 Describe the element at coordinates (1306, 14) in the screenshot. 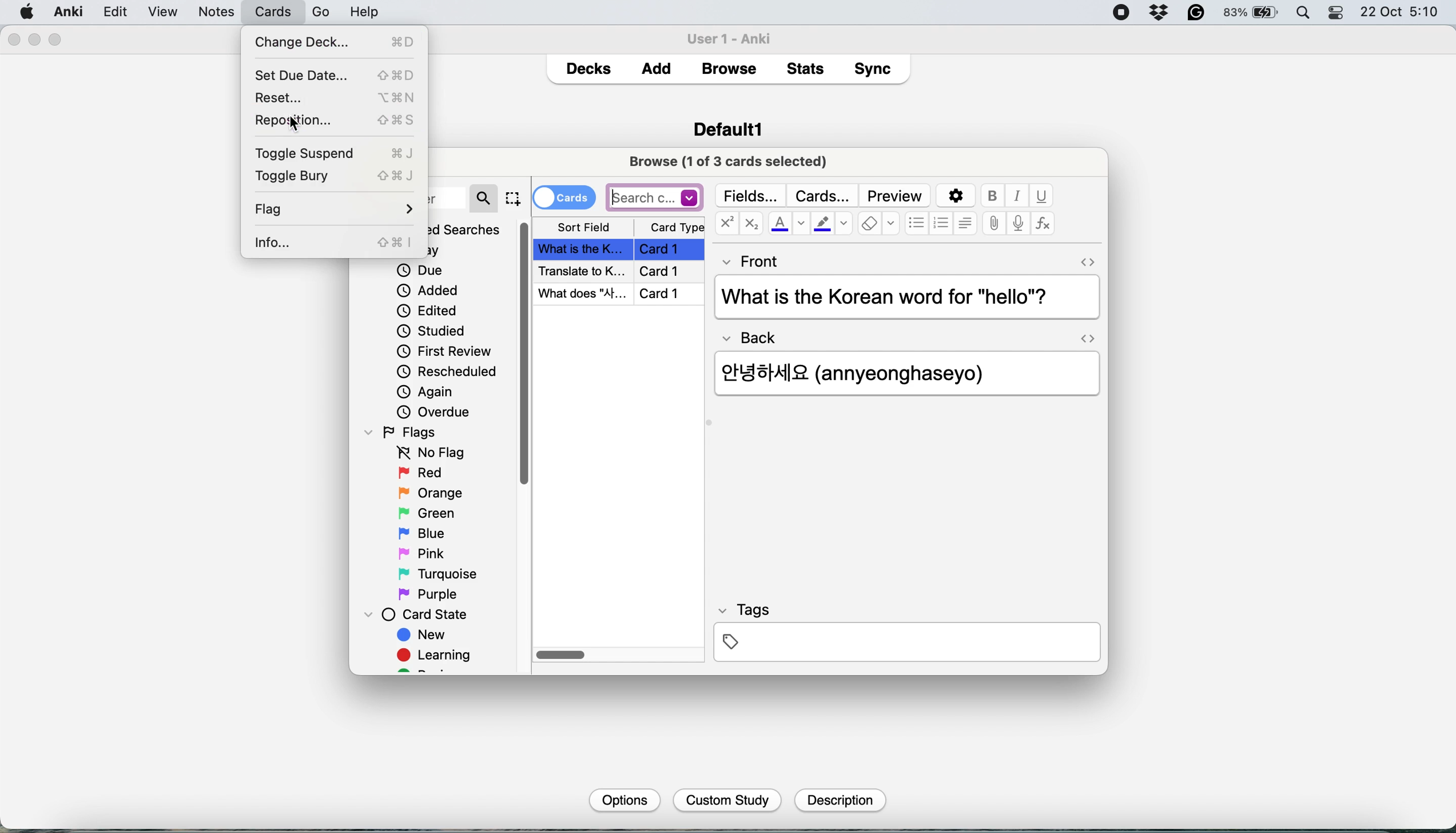

I see `spotlight search` at that location.